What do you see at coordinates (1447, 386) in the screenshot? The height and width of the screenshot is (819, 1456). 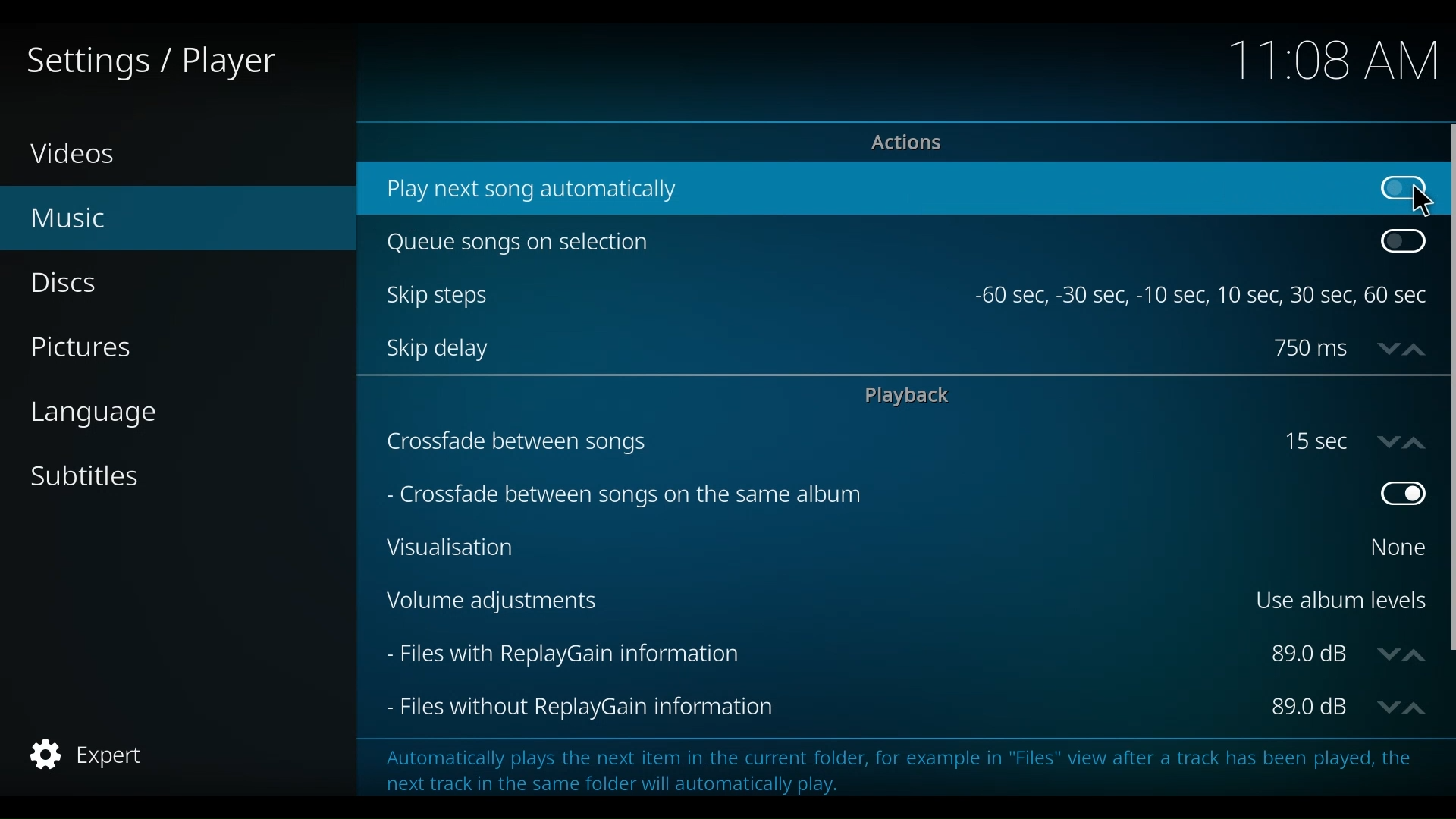 I see `Vertical Scroll bar` at bounding box center [1447, 386].